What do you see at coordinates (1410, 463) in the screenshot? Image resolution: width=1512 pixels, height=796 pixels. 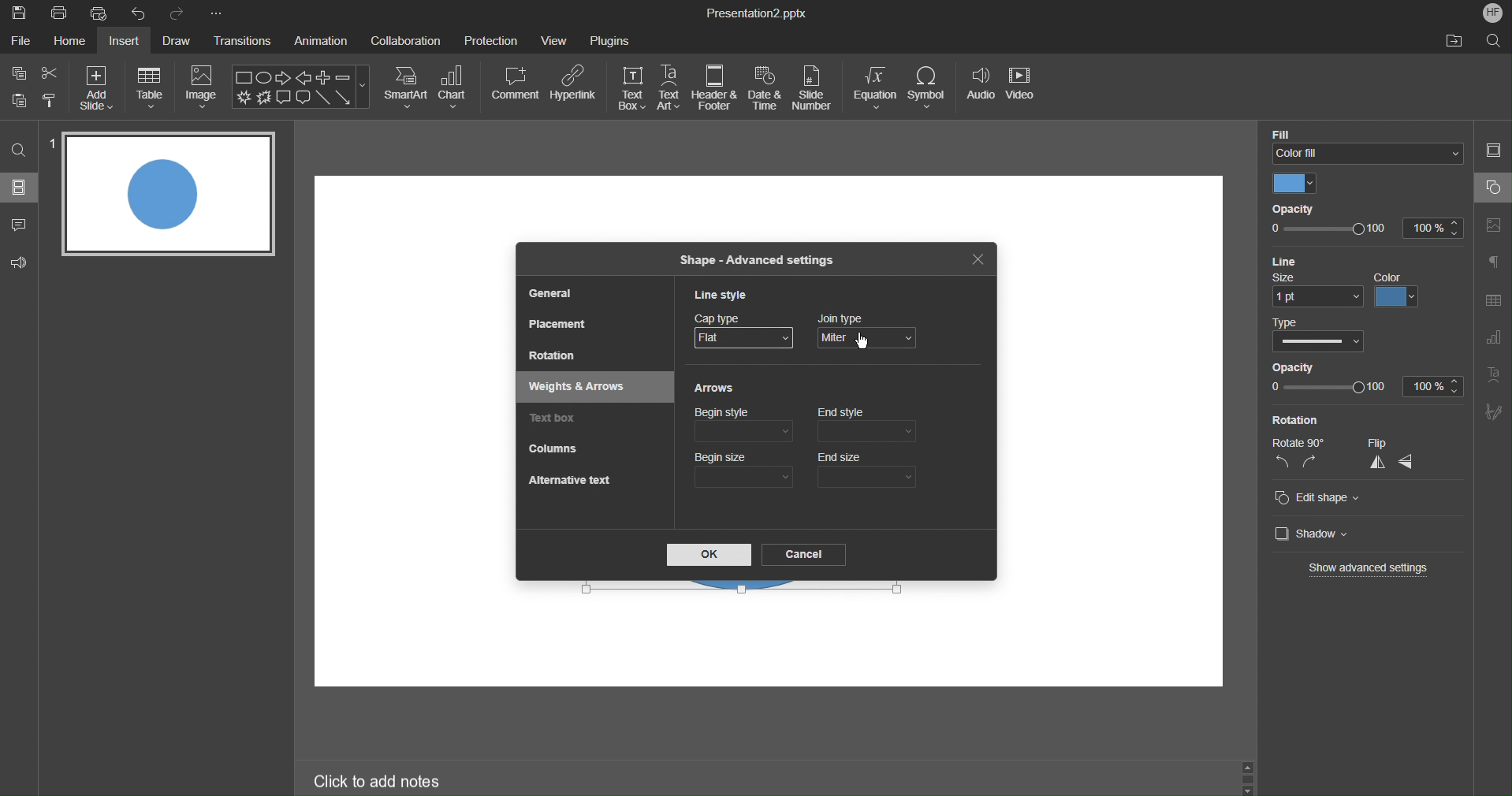 I see `horizontal` at bounding box center [1410, 463].